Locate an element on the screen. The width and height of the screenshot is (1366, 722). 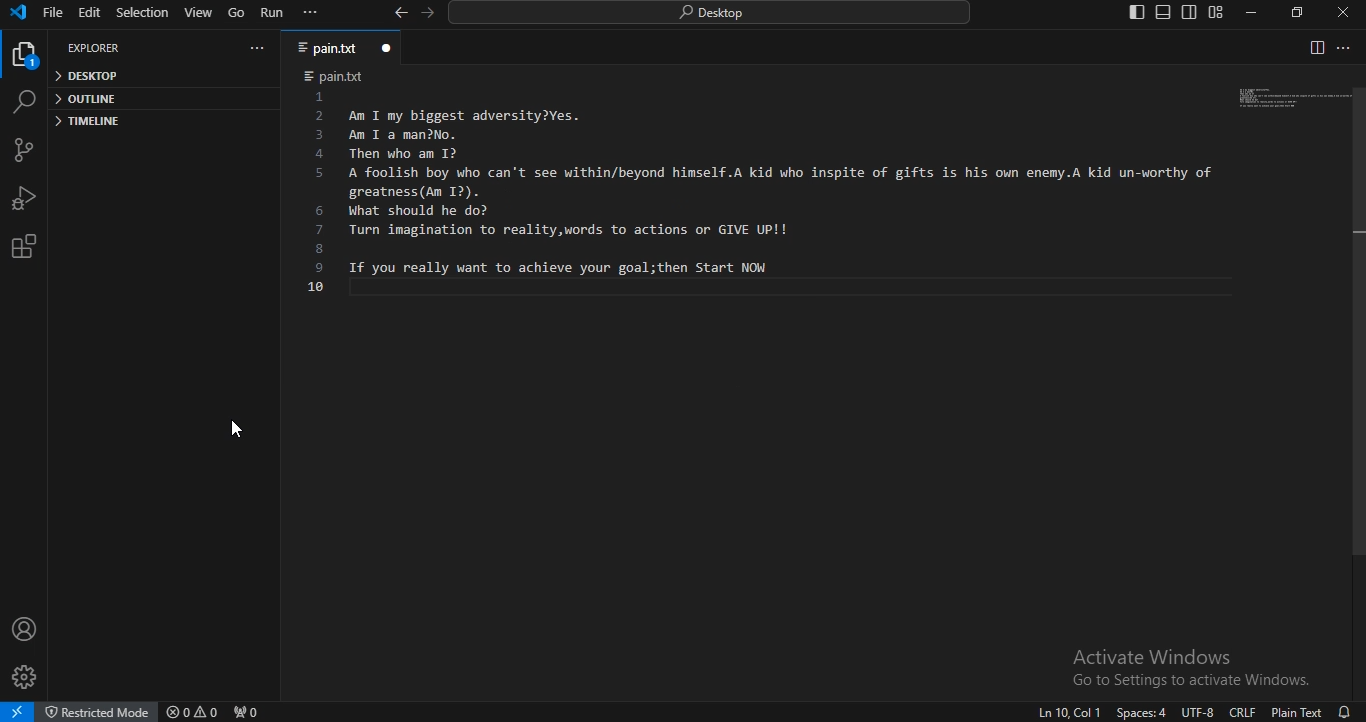
file is located at coordinates (53, 13).